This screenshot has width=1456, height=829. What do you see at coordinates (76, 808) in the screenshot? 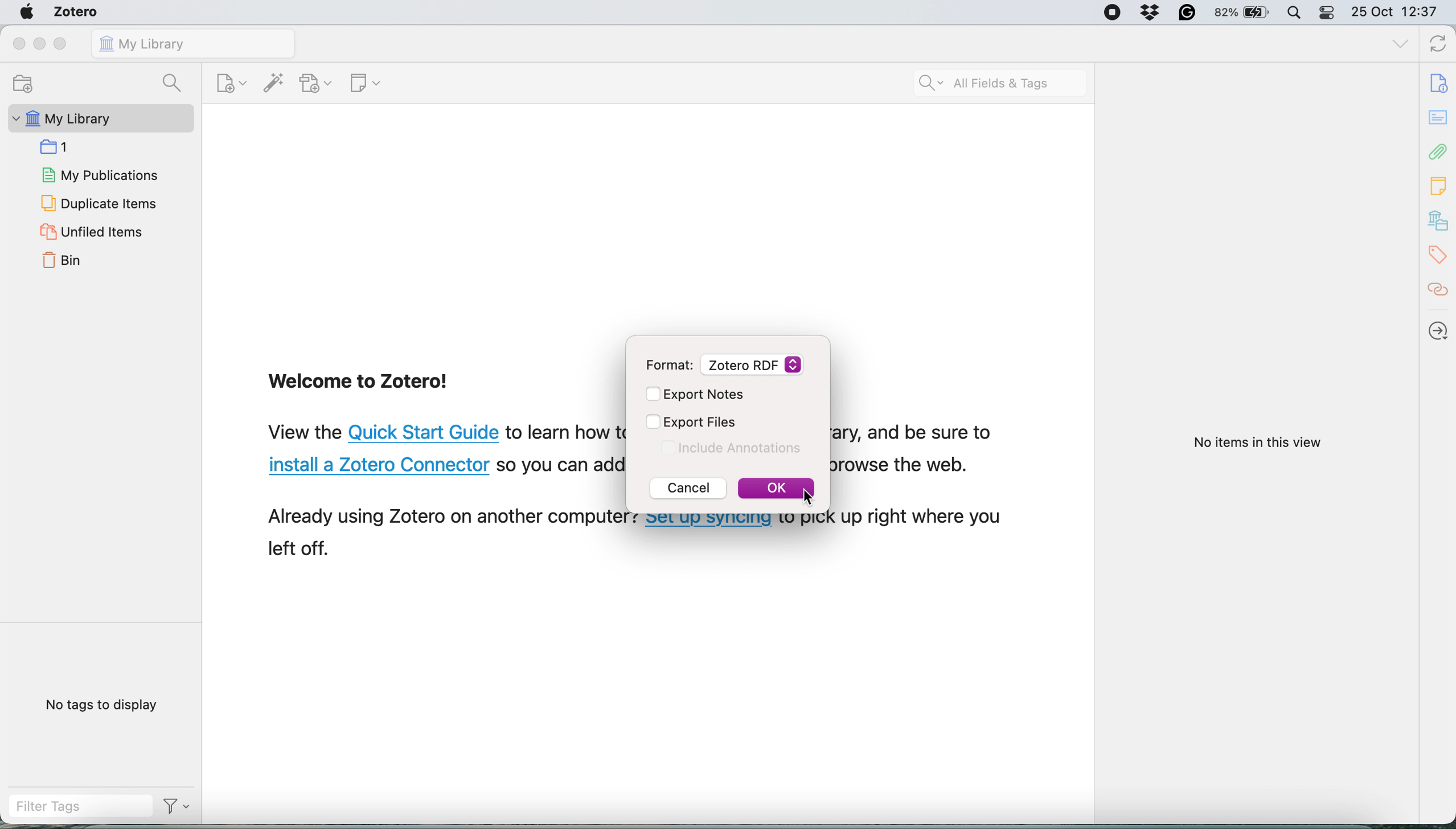
I see `filter tags` at bounding box center [76, 808].